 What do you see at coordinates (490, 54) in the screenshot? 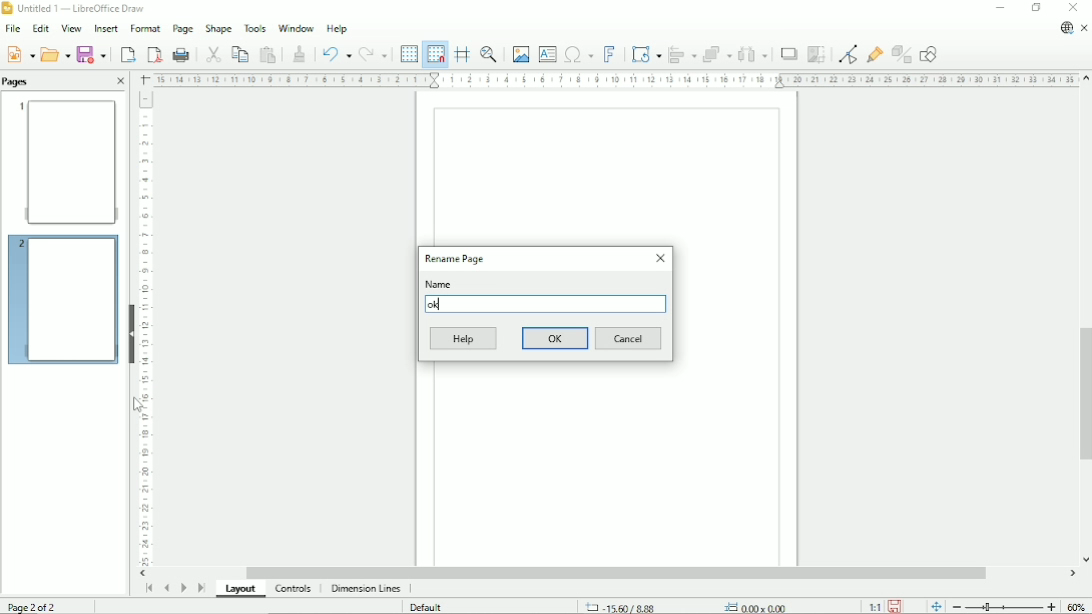
I see `Zoom & pan` at bounding box center [490, 54].